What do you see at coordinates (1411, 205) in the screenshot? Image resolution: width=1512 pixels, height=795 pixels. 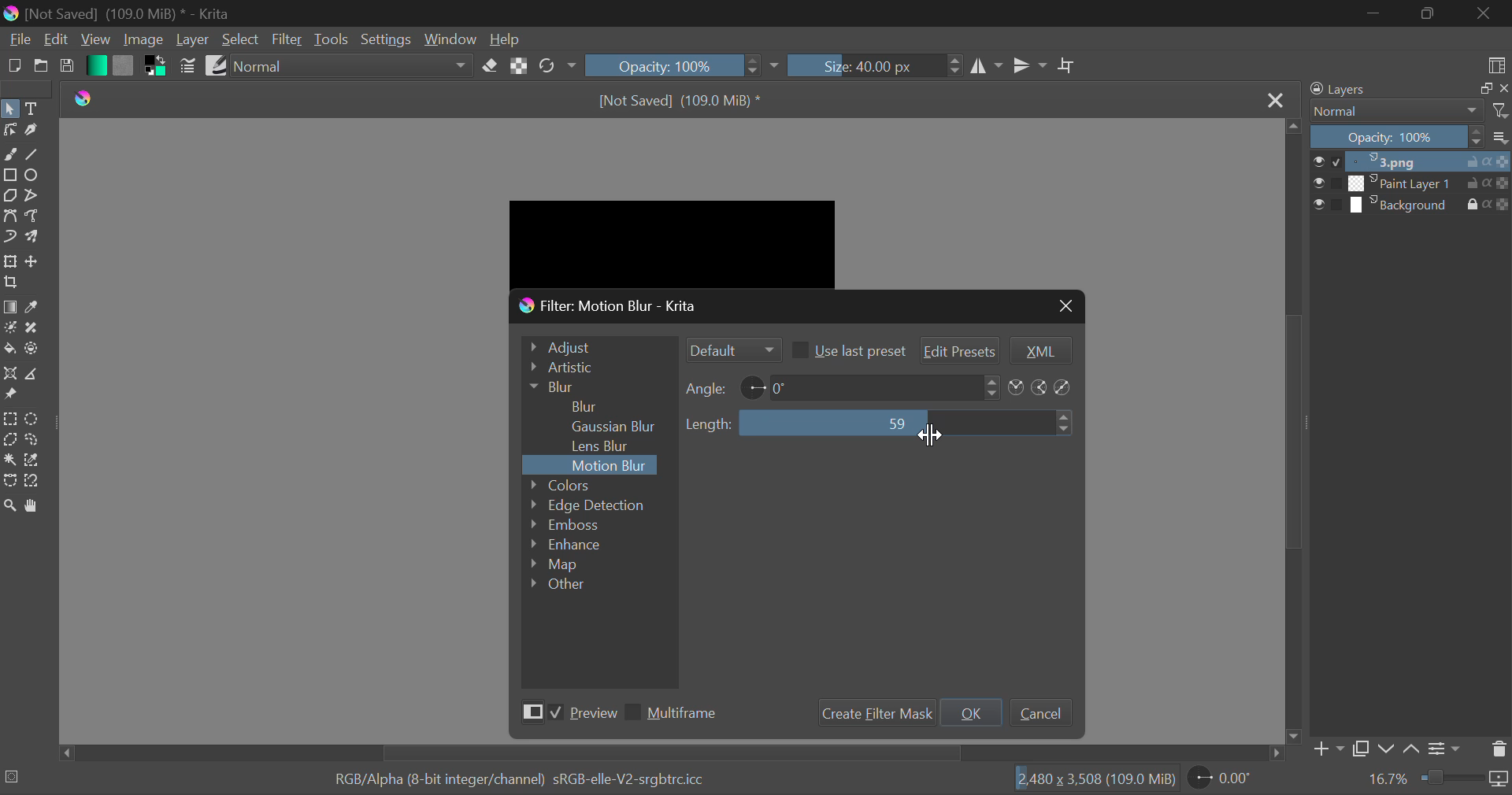 I see `Background` at bounding box center [1411, 205].